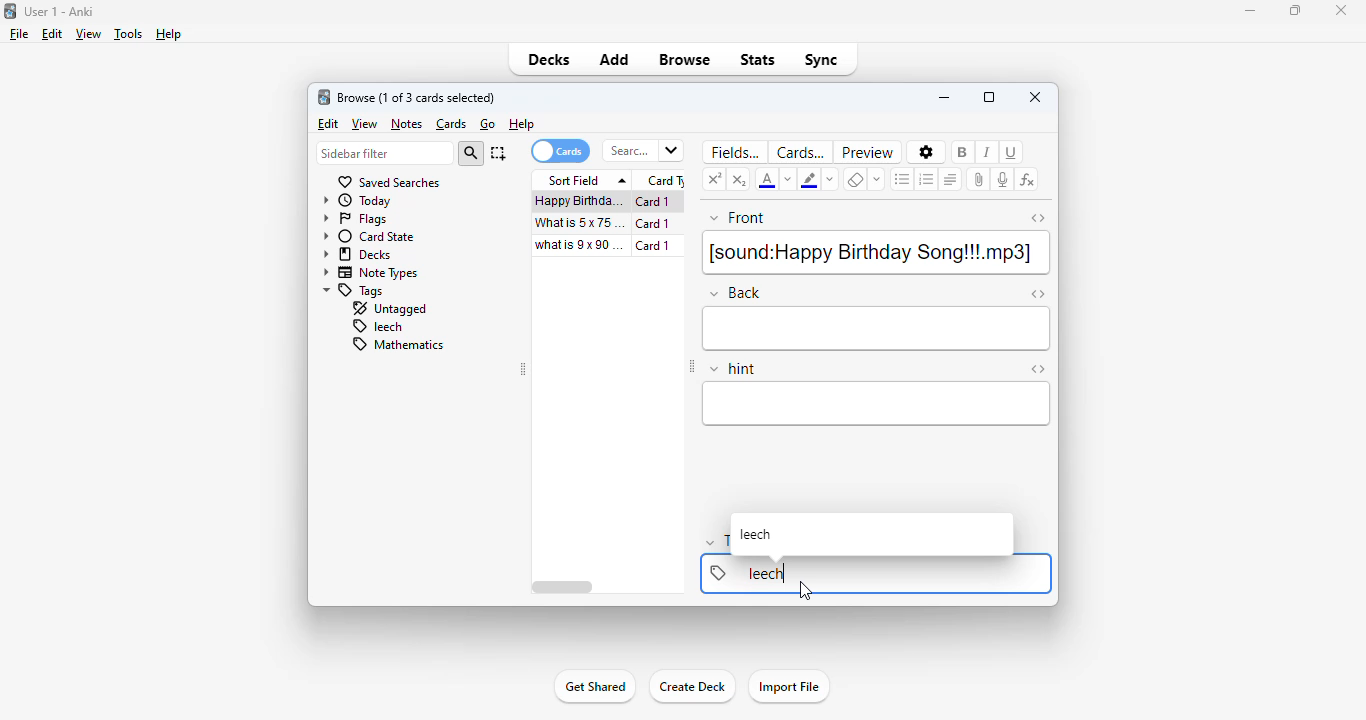 The image size is (1366, 720). I want to click on unordered list, so click(903, 179).